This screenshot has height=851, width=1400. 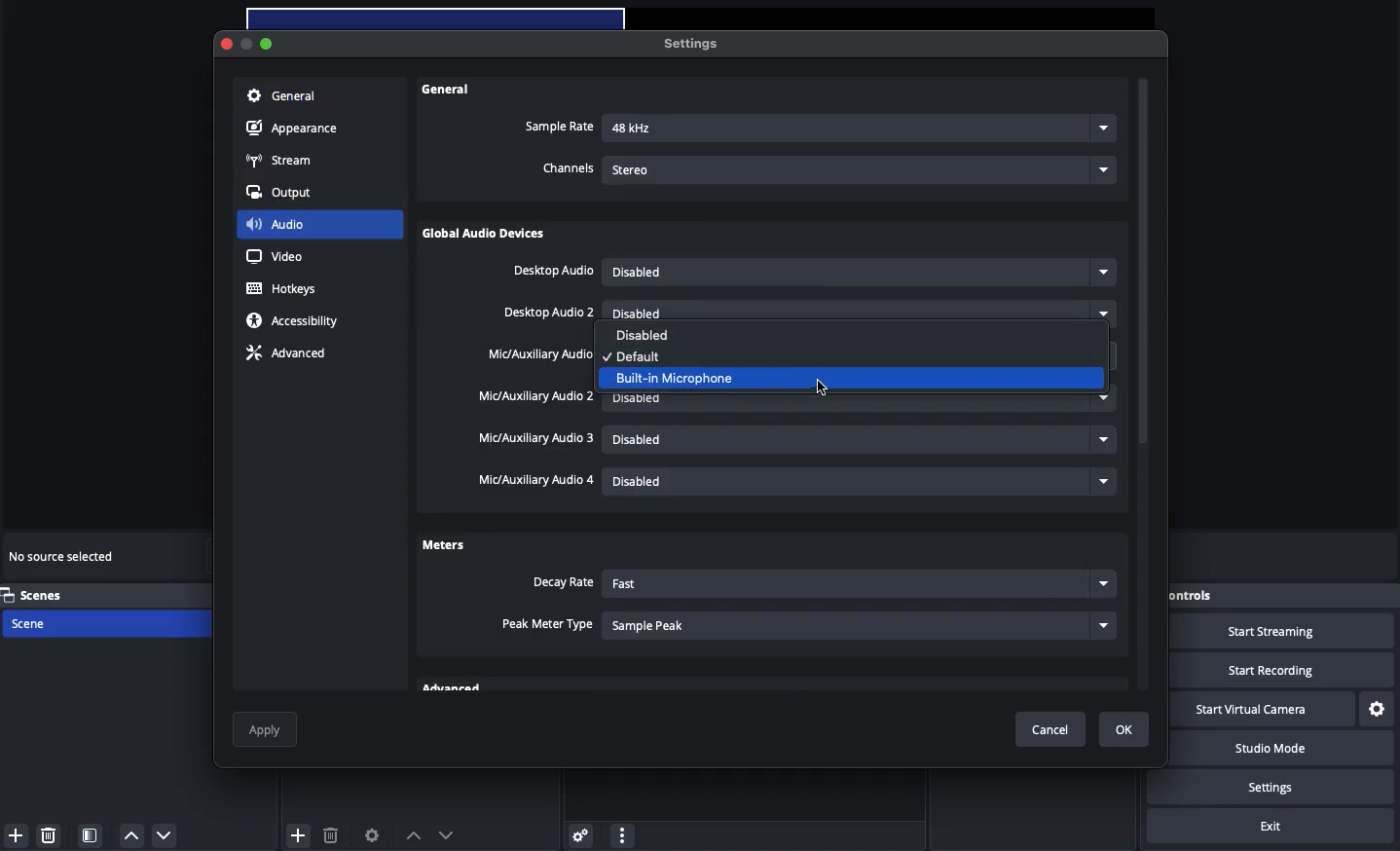 I want to click on Disabled, so click(x=826, y=354).